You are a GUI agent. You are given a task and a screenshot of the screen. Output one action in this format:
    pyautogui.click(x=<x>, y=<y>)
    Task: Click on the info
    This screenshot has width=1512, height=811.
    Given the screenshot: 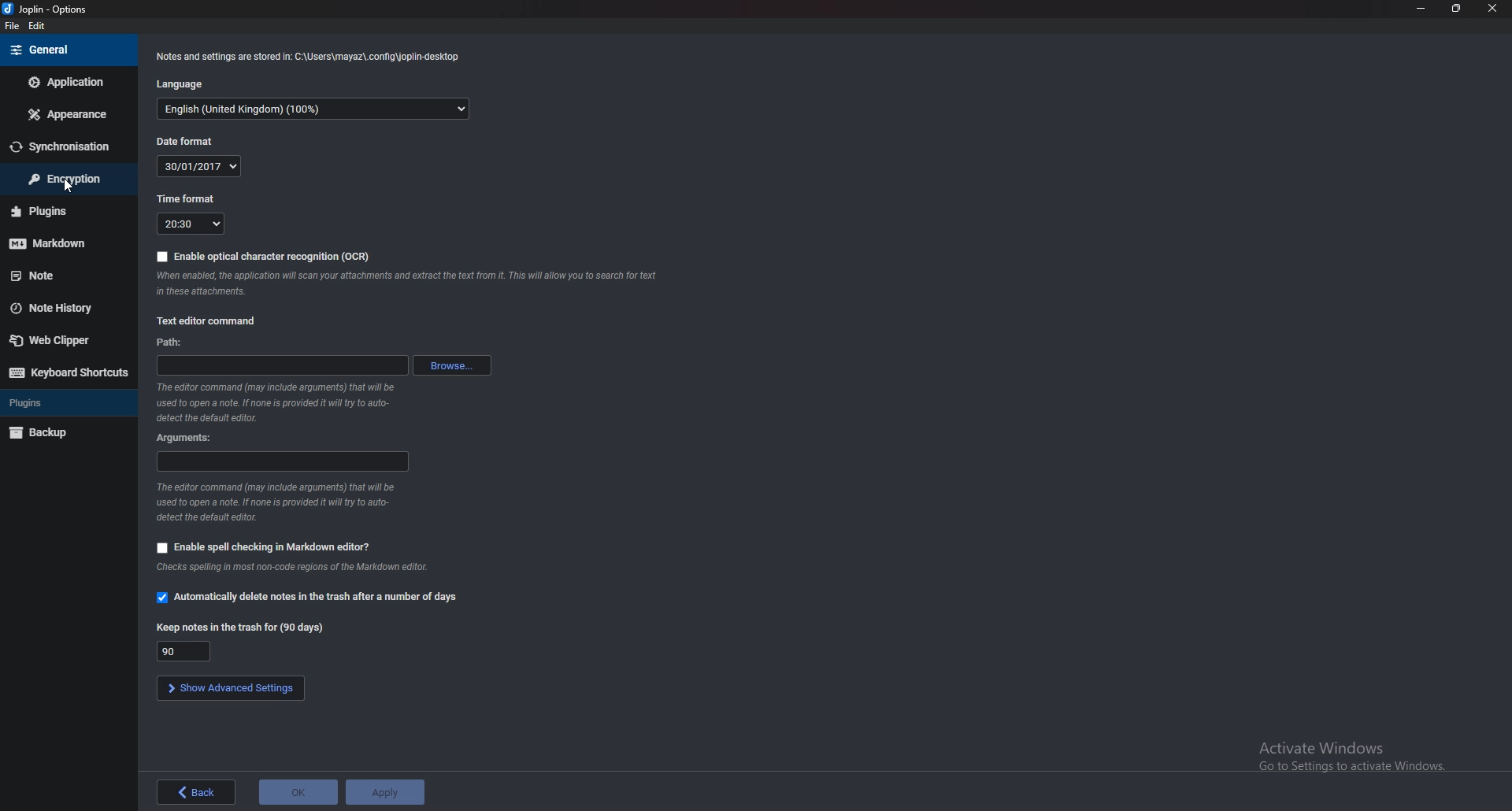 What is the action you would take?
    pyautogui.click(x=298, y=566)
    